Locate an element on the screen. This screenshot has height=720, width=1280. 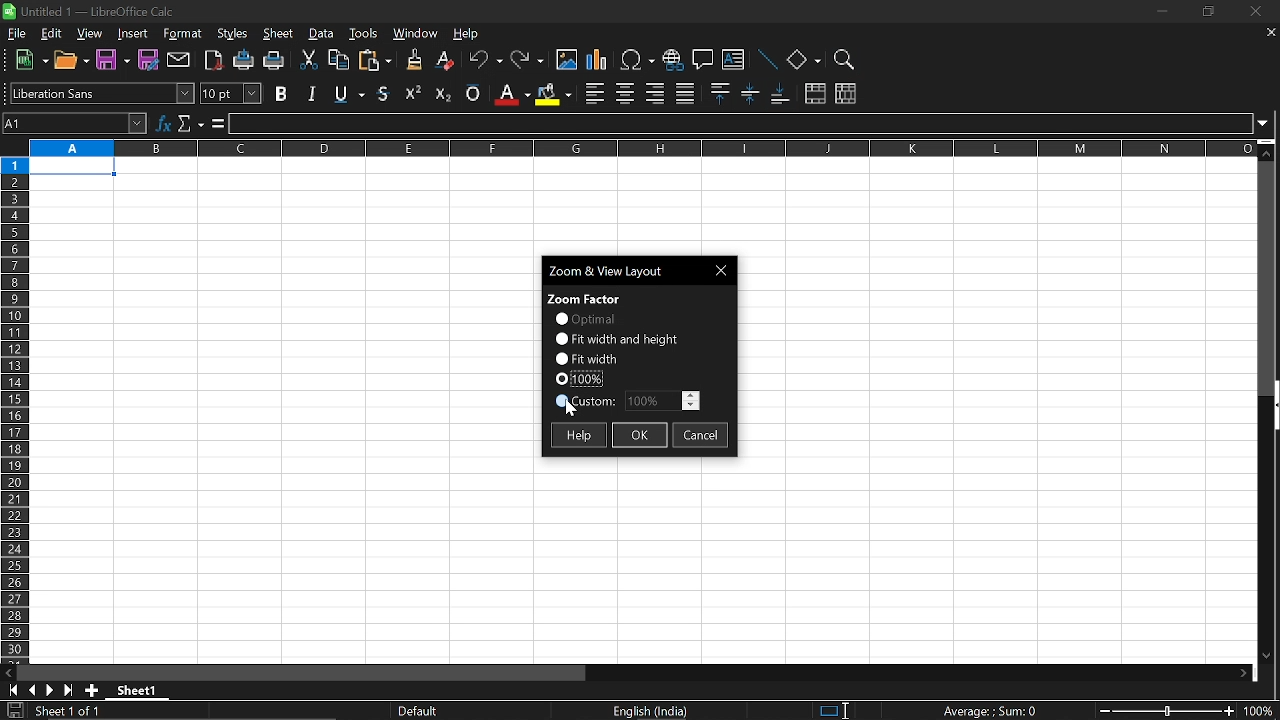
copy is located at coordinates (337, 63).